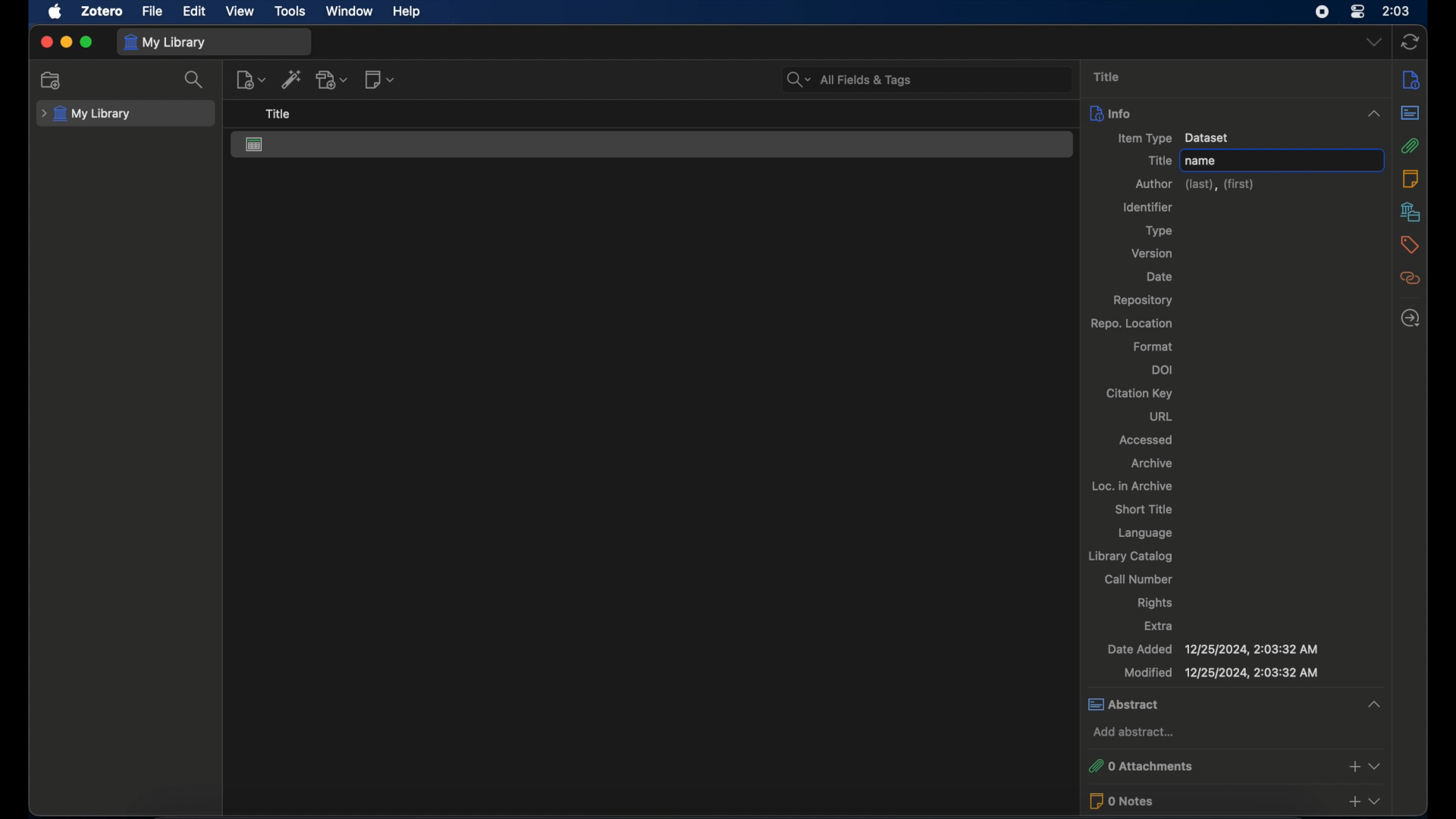 Image resolution: width=1456 pixels, height=819 pixels. Describe the element at coordinates (334, 80) in the screenshot. I see `add attachment` at that location.